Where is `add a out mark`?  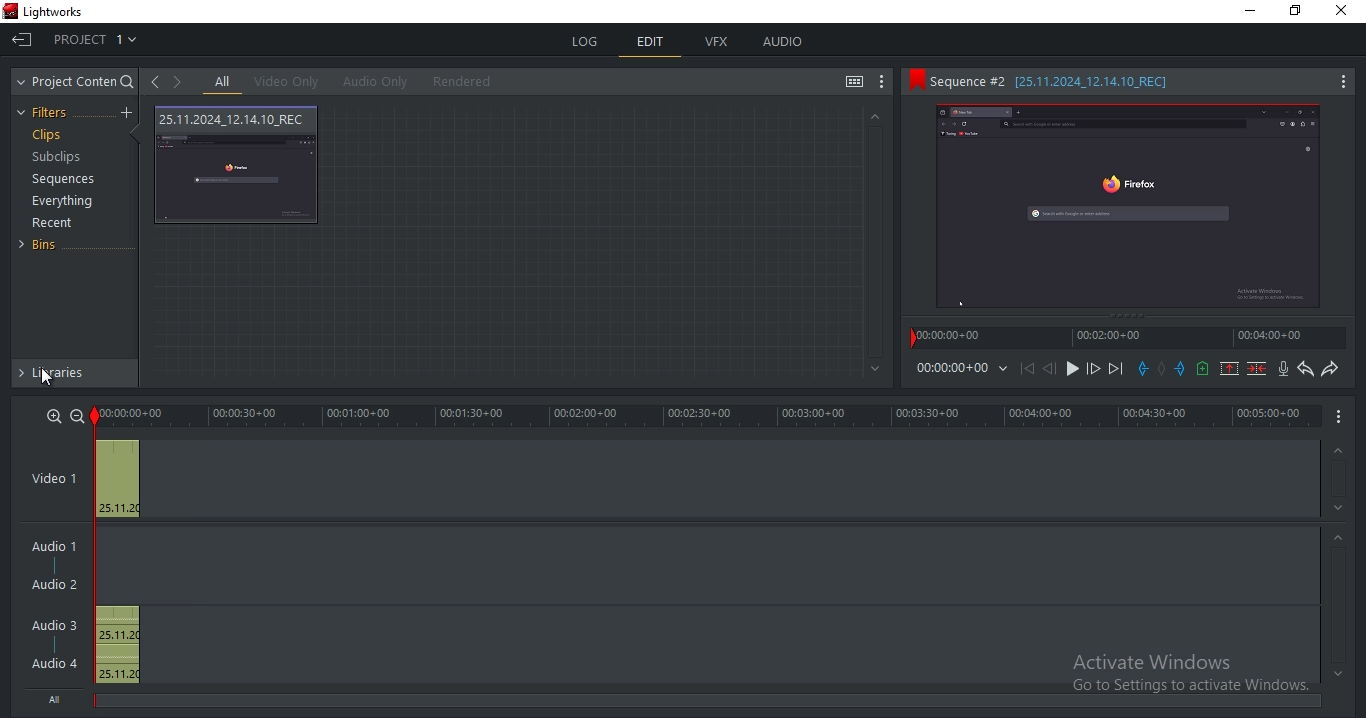
add a out mark is located at coordinates (1180, 368).